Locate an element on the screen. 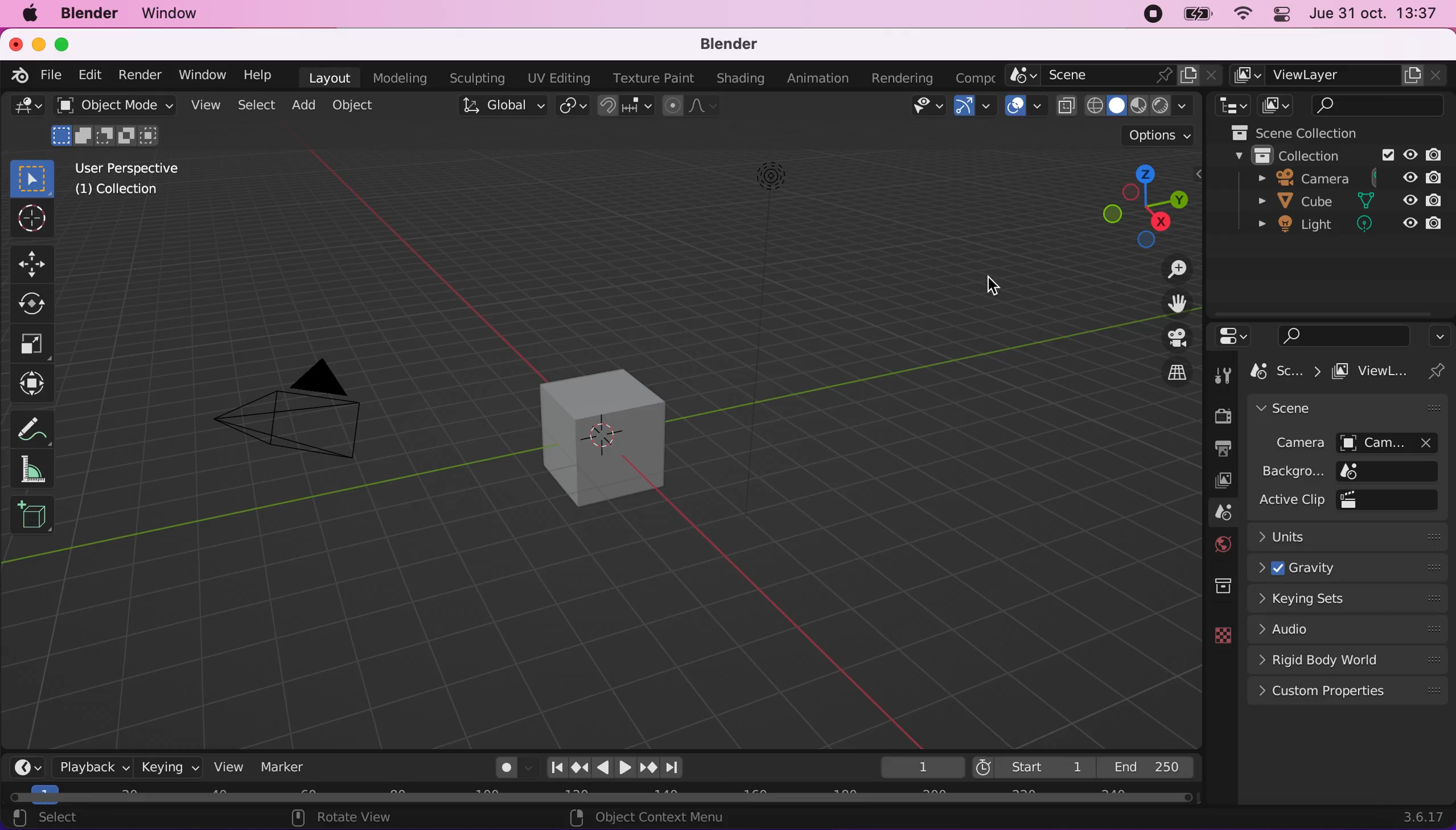  panel control is located at coordinates (1283, 15).